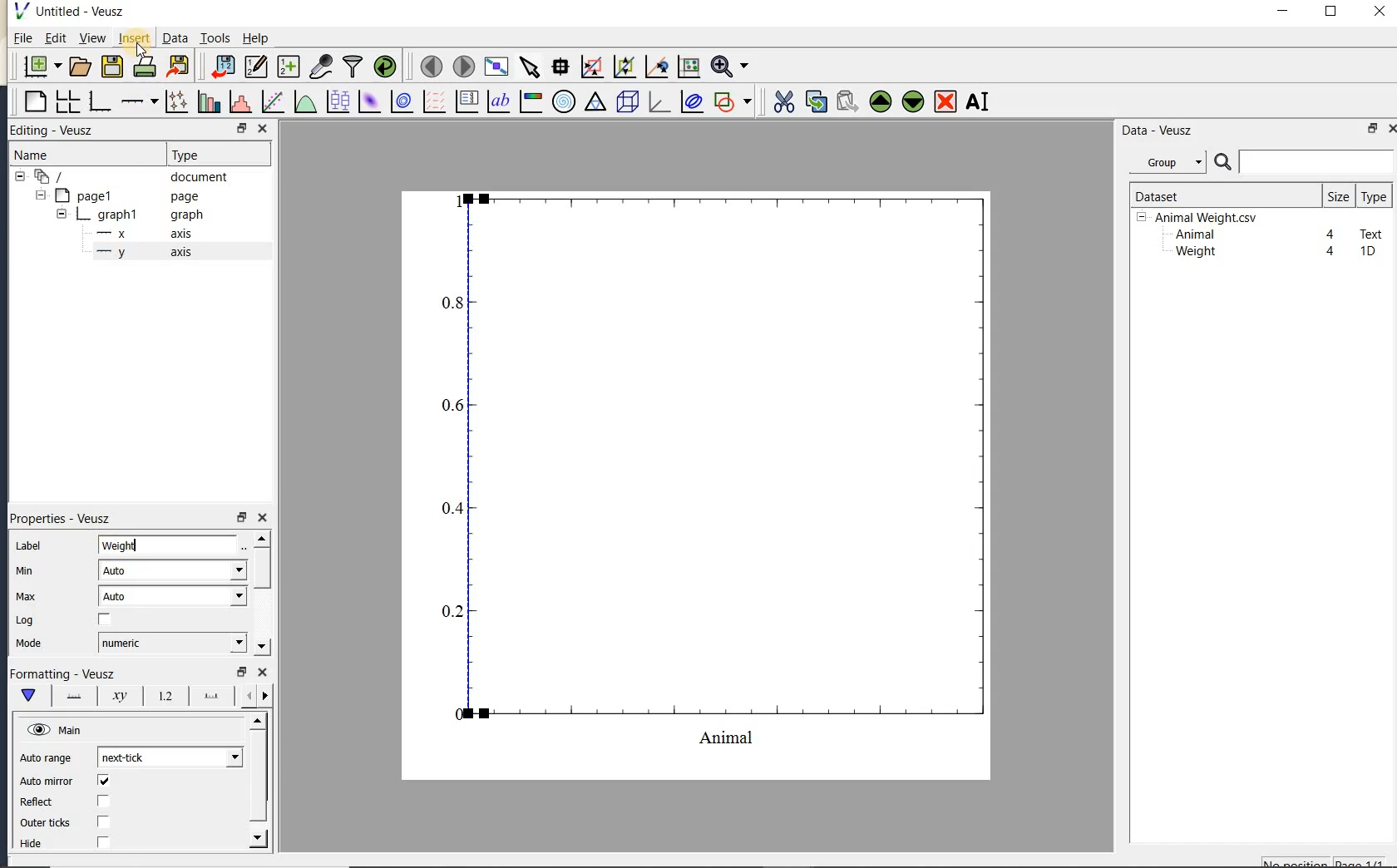 Image resolution: width=1397 pixels, height=868 pixels. I want to click on polar graph, so click(563, 101).